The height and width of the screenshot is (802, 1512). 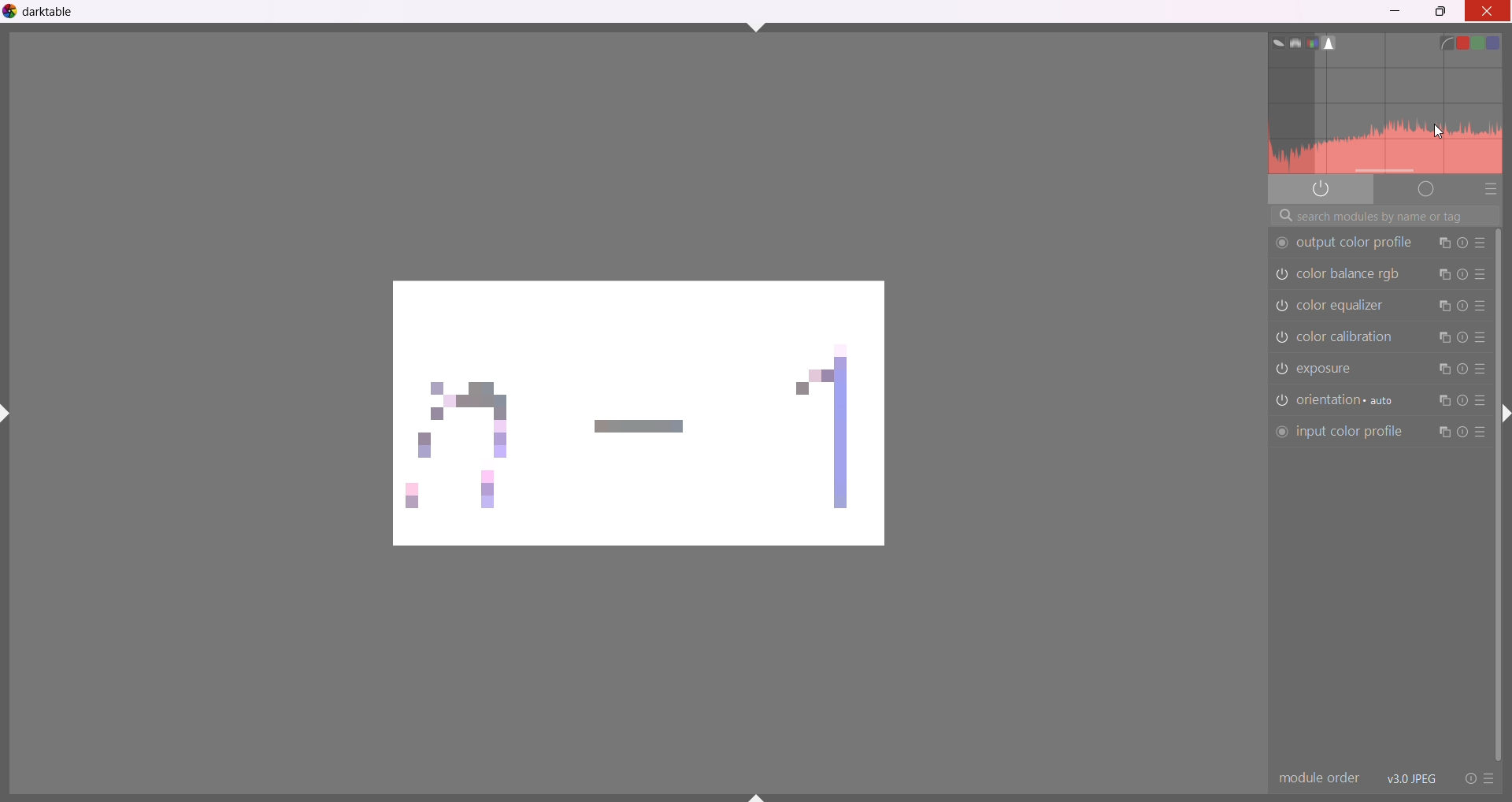 I want to click on blue, so click(x=1504, y=41).